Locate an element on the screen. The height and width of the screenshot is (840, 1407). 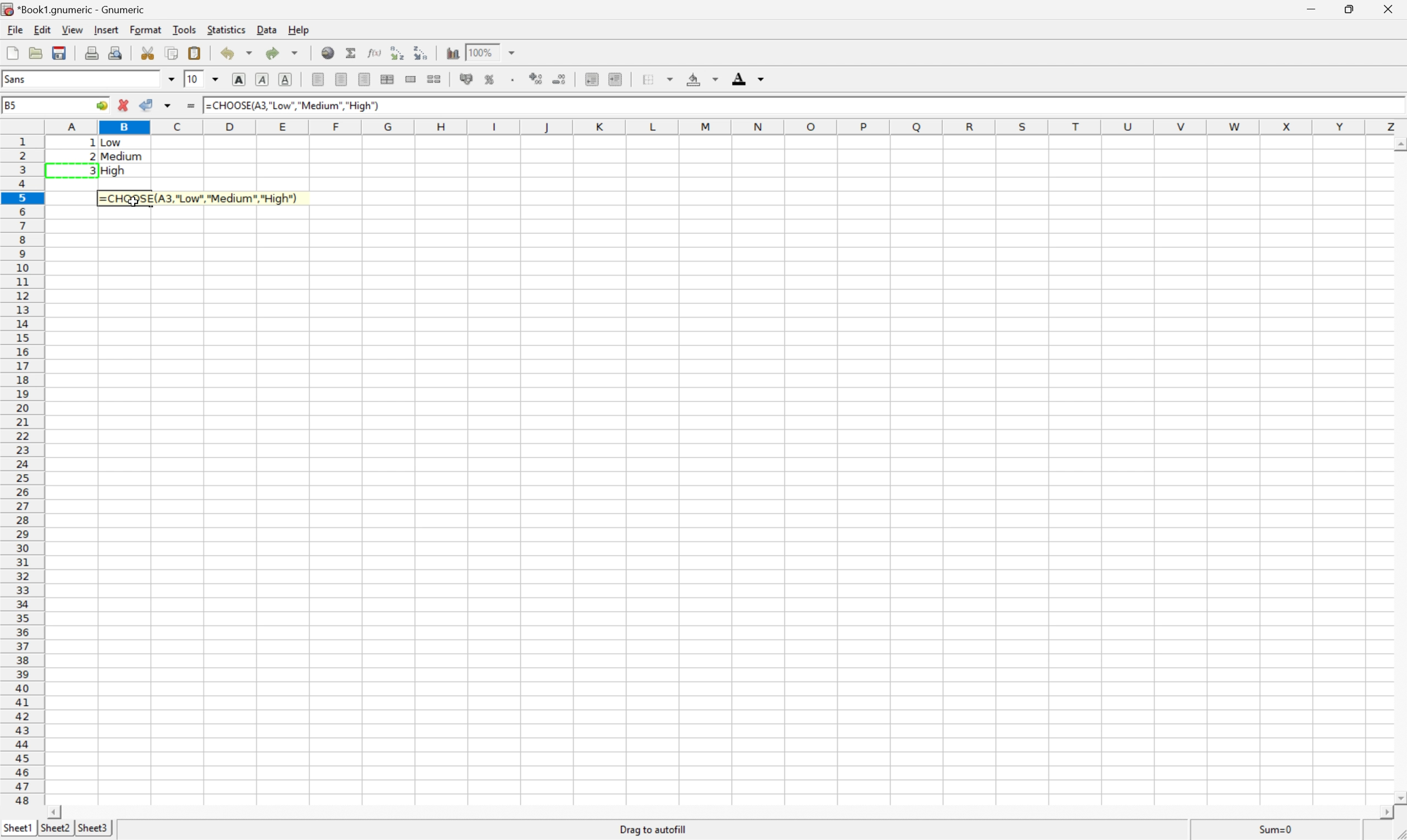
Accept changes in multiple cells is located at coordinates (167, 106).